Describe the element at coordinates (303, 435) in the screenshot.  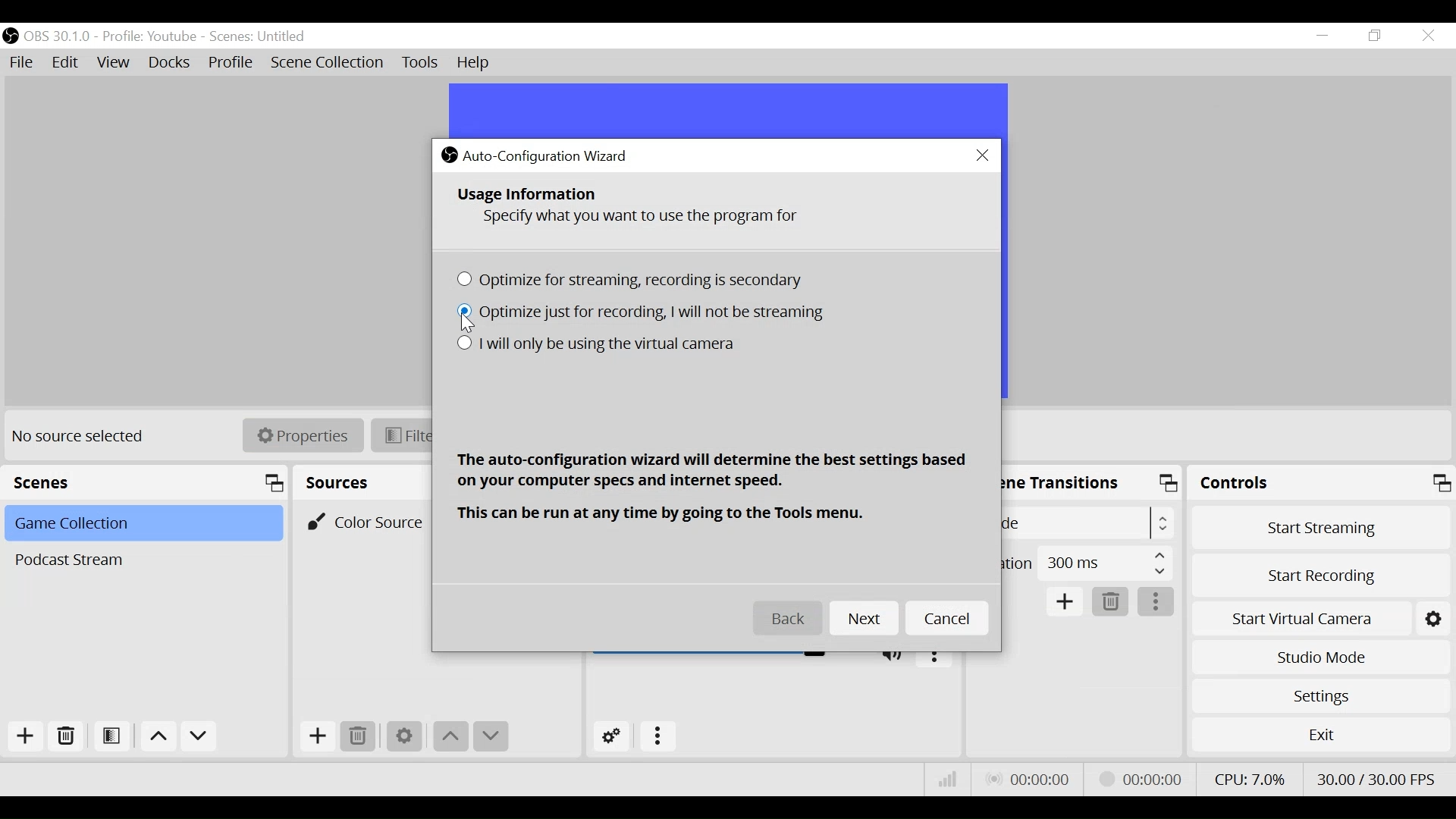
I see `Properties` at that location.